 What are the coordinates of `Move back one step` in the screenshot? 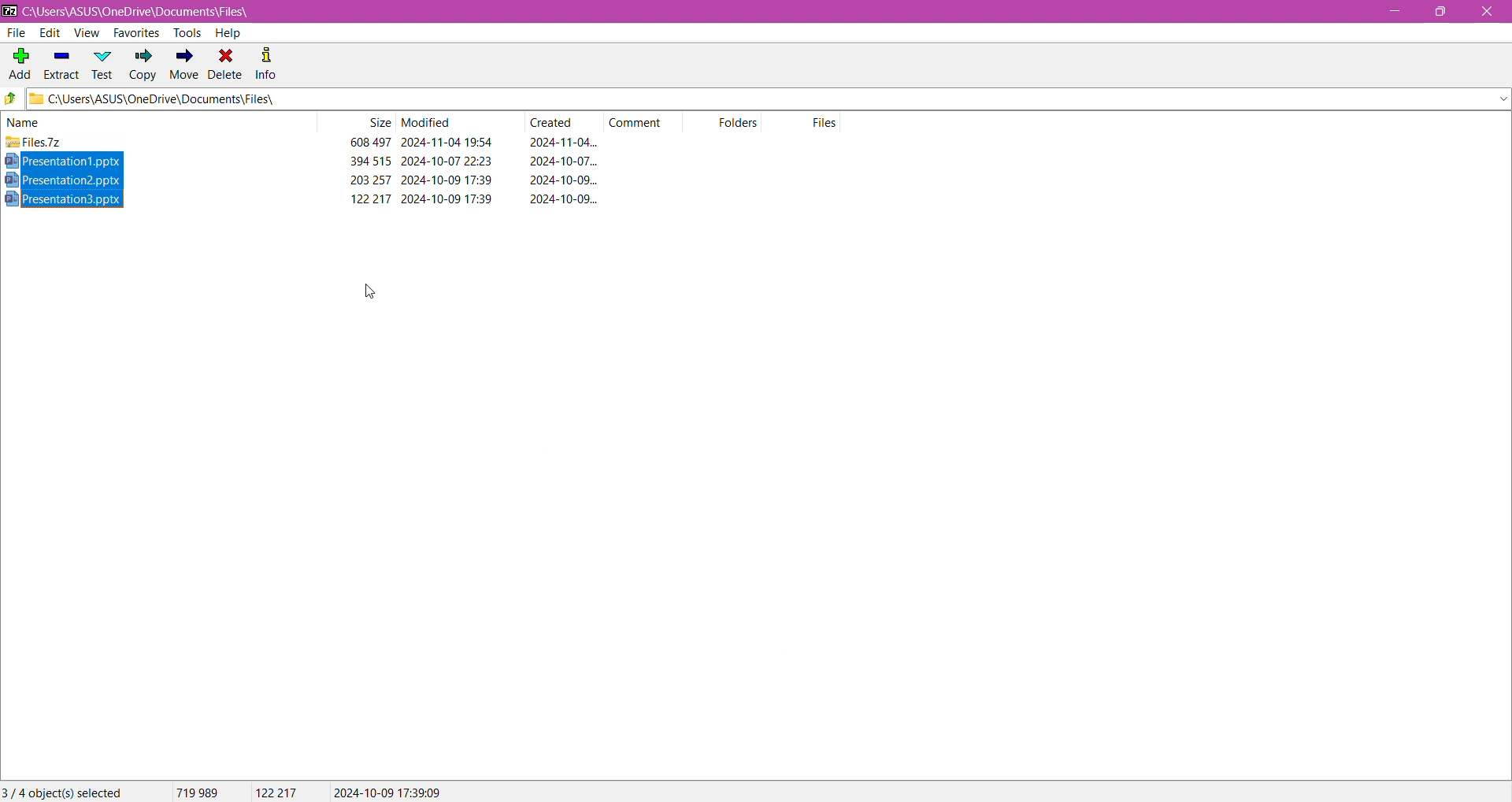 It's located at (11, 100).